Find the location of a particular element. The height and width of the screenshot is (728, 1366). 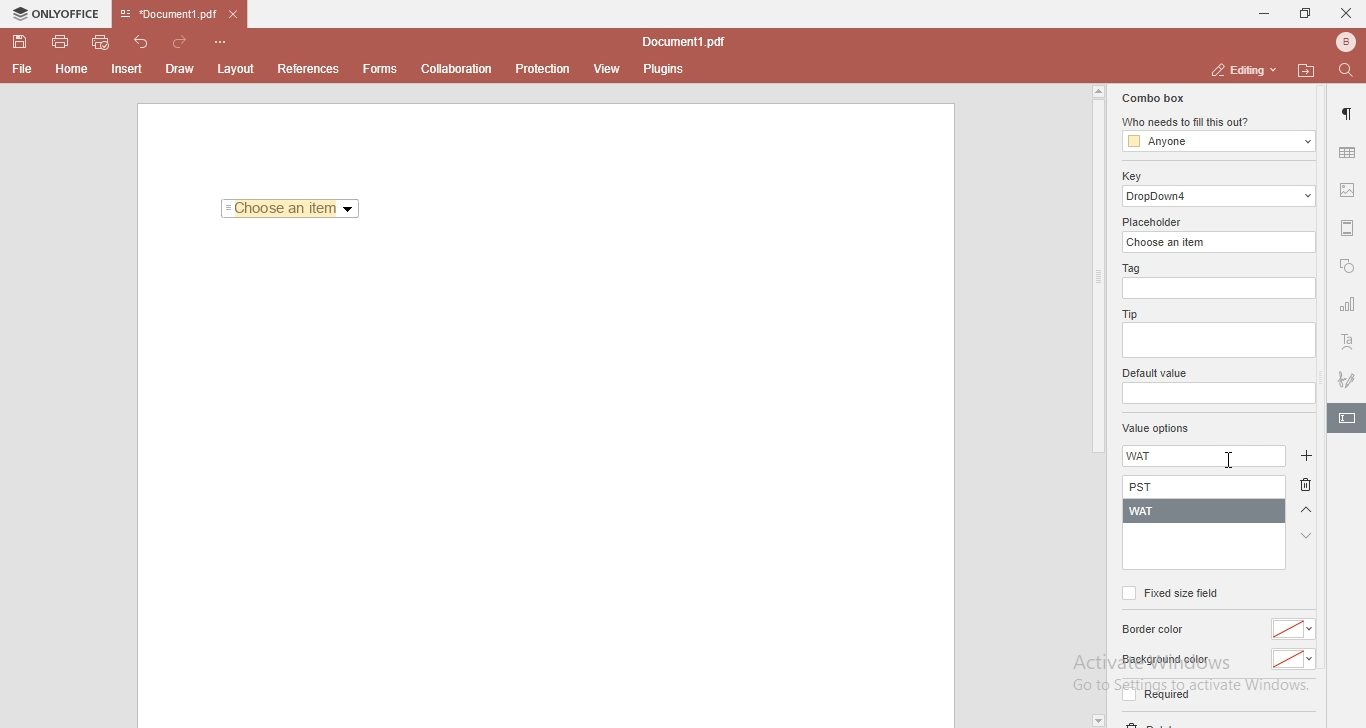

arrow up is located at coordinates (1307, 511).